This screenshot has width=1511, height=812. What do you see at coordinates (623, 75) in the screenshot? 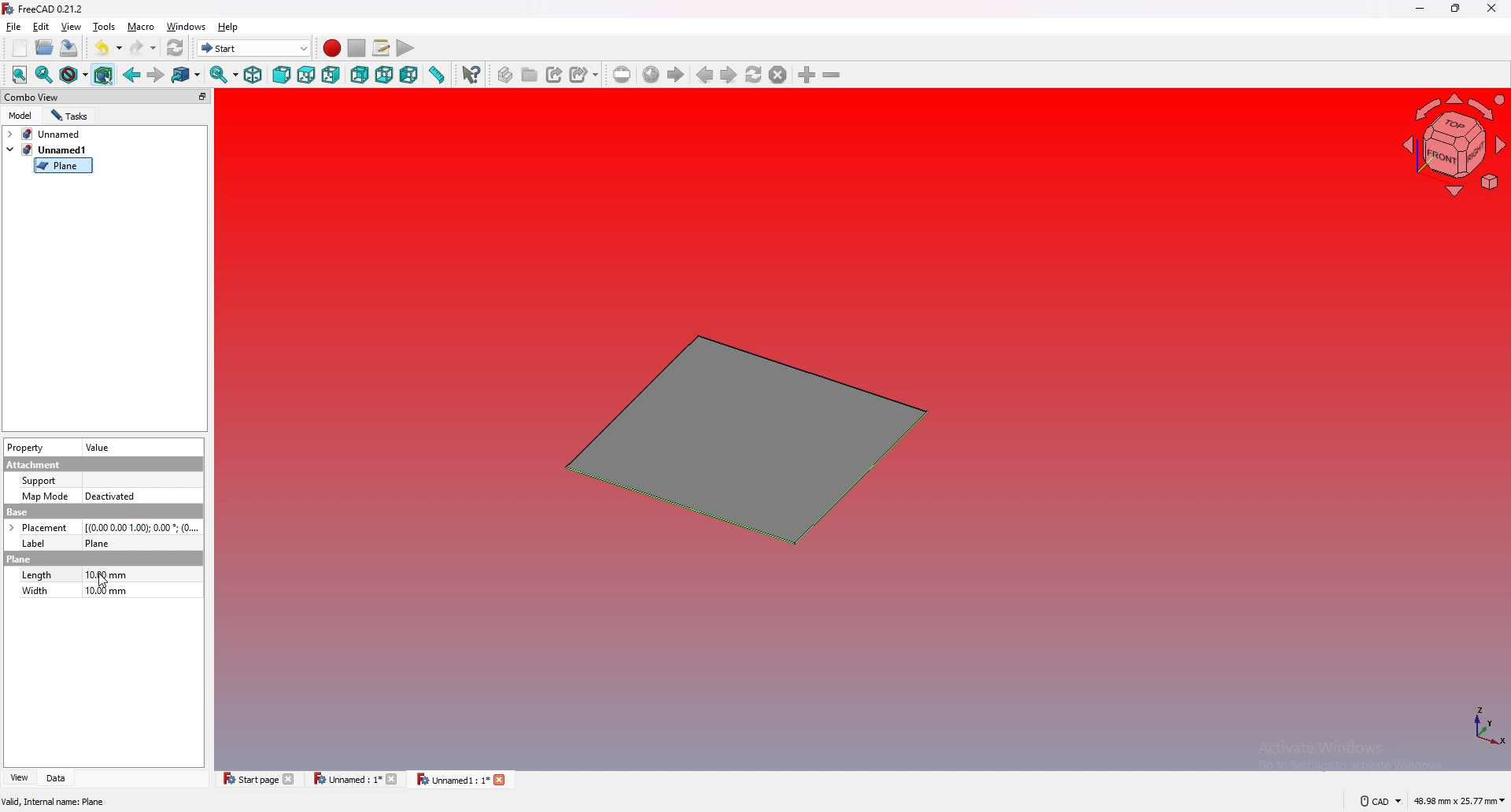
I see `set url` at bounding box center [623, 75].